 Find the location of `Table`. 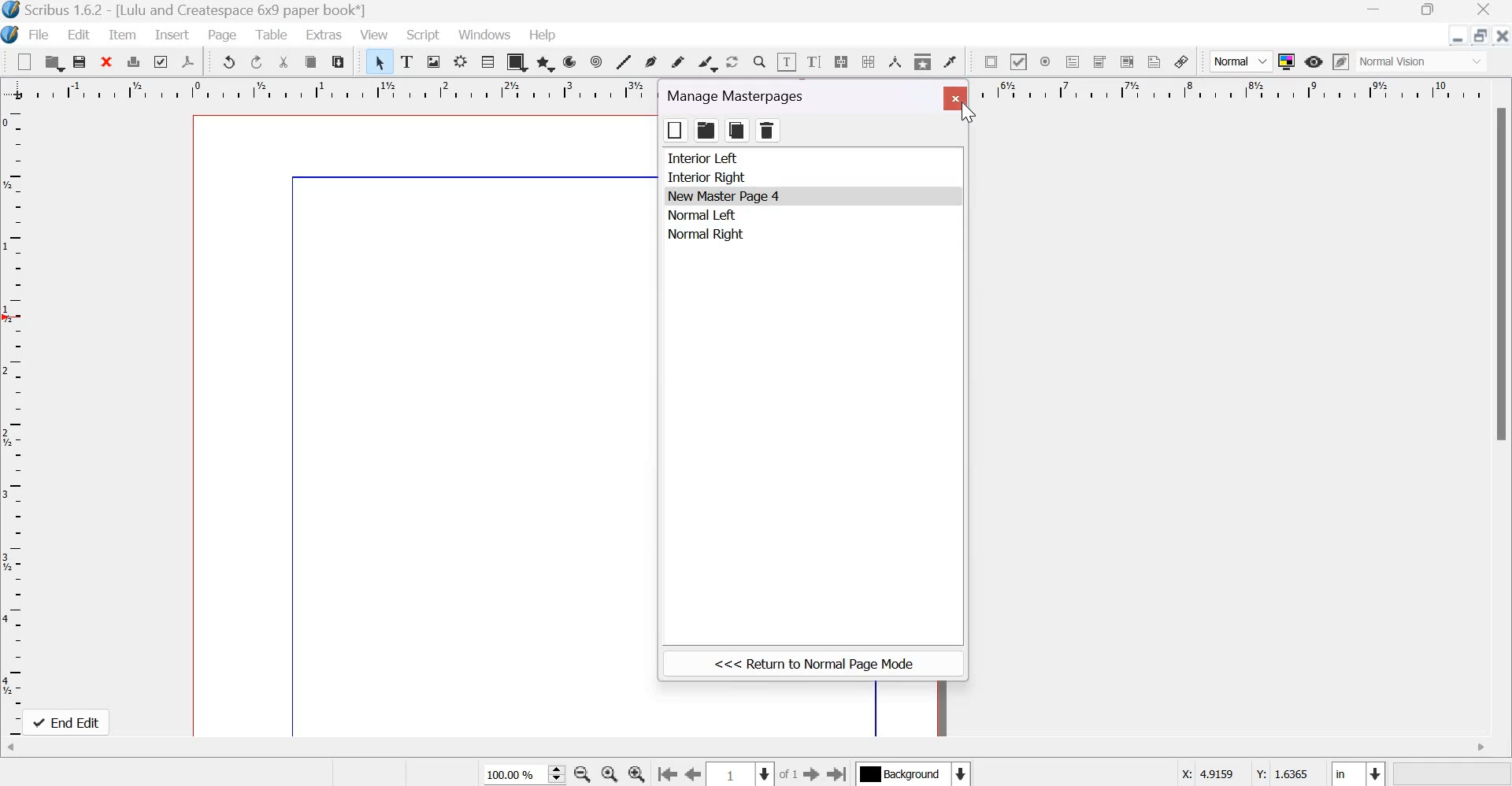

Table is located at coordinates (487, 62).